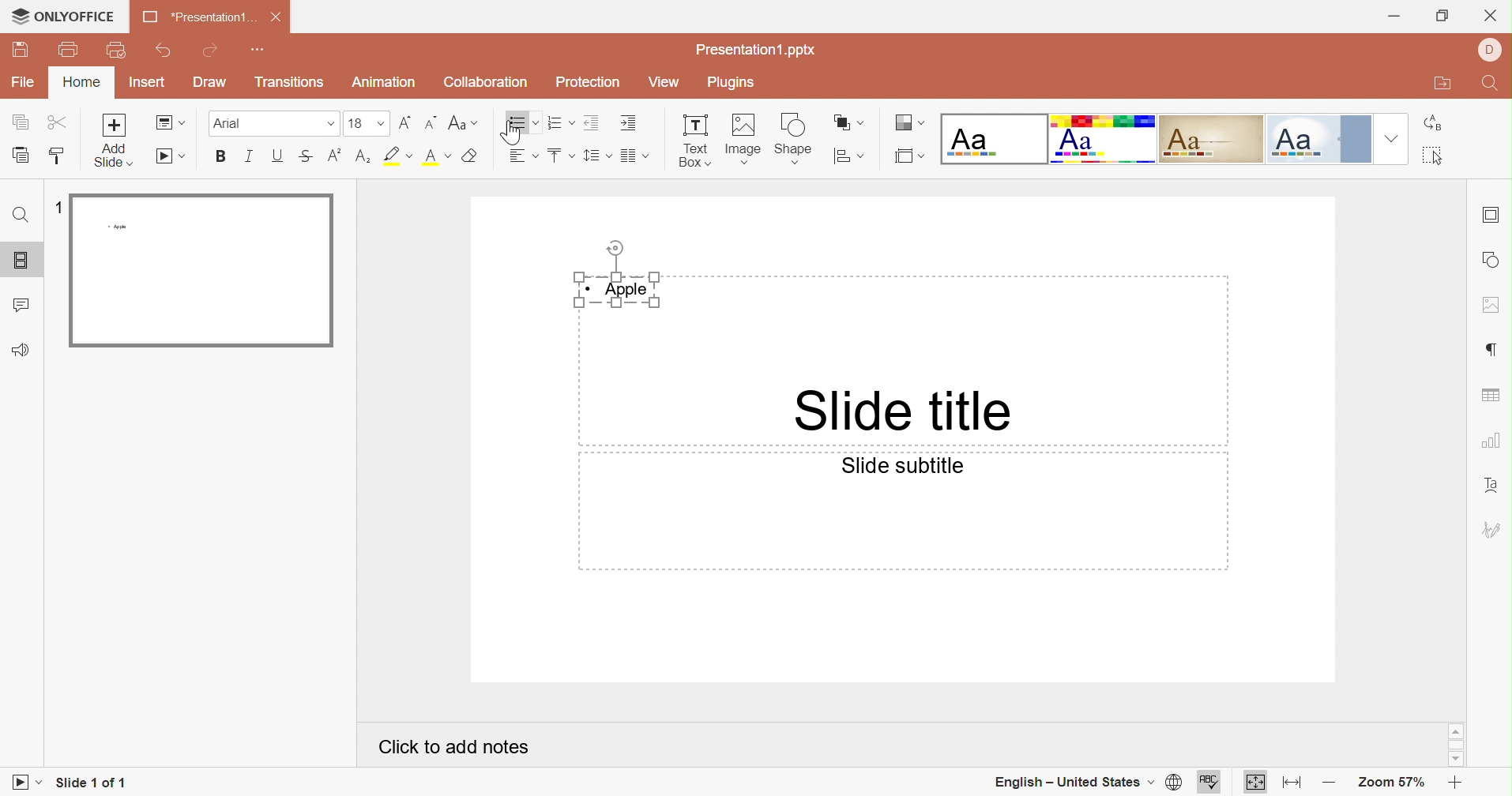 This screenshot has width=1512, height=796. What do you see at coordinates (93, 780) in the screenshot?
I see `Slide 1 of 1` at bounding box center [93, 780].